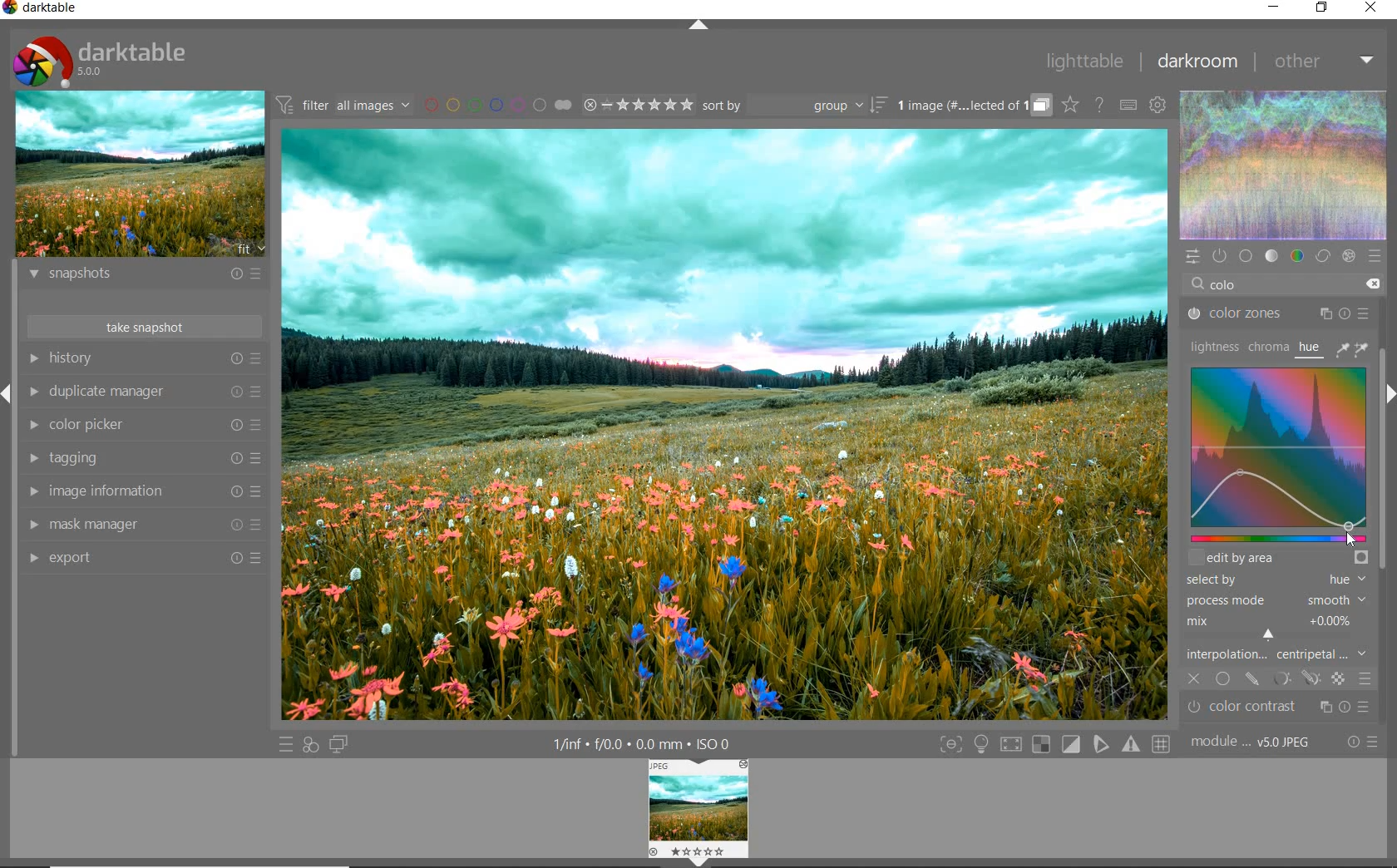  Describe the element at coordinates (1275, 602) in the screenshot. I see `process mode` at that location.